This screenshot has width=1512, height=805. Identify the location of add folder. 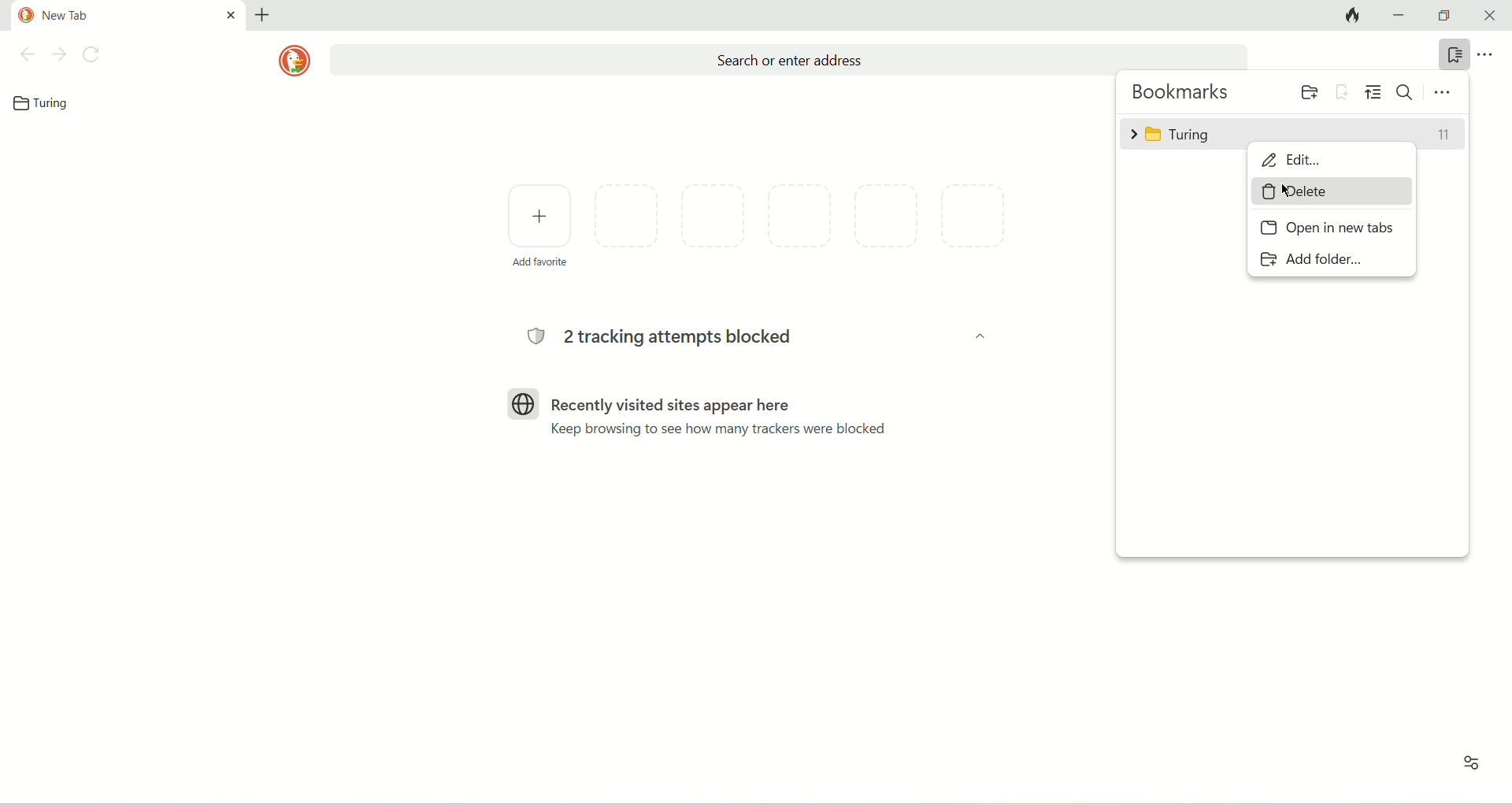
(1306, 91).